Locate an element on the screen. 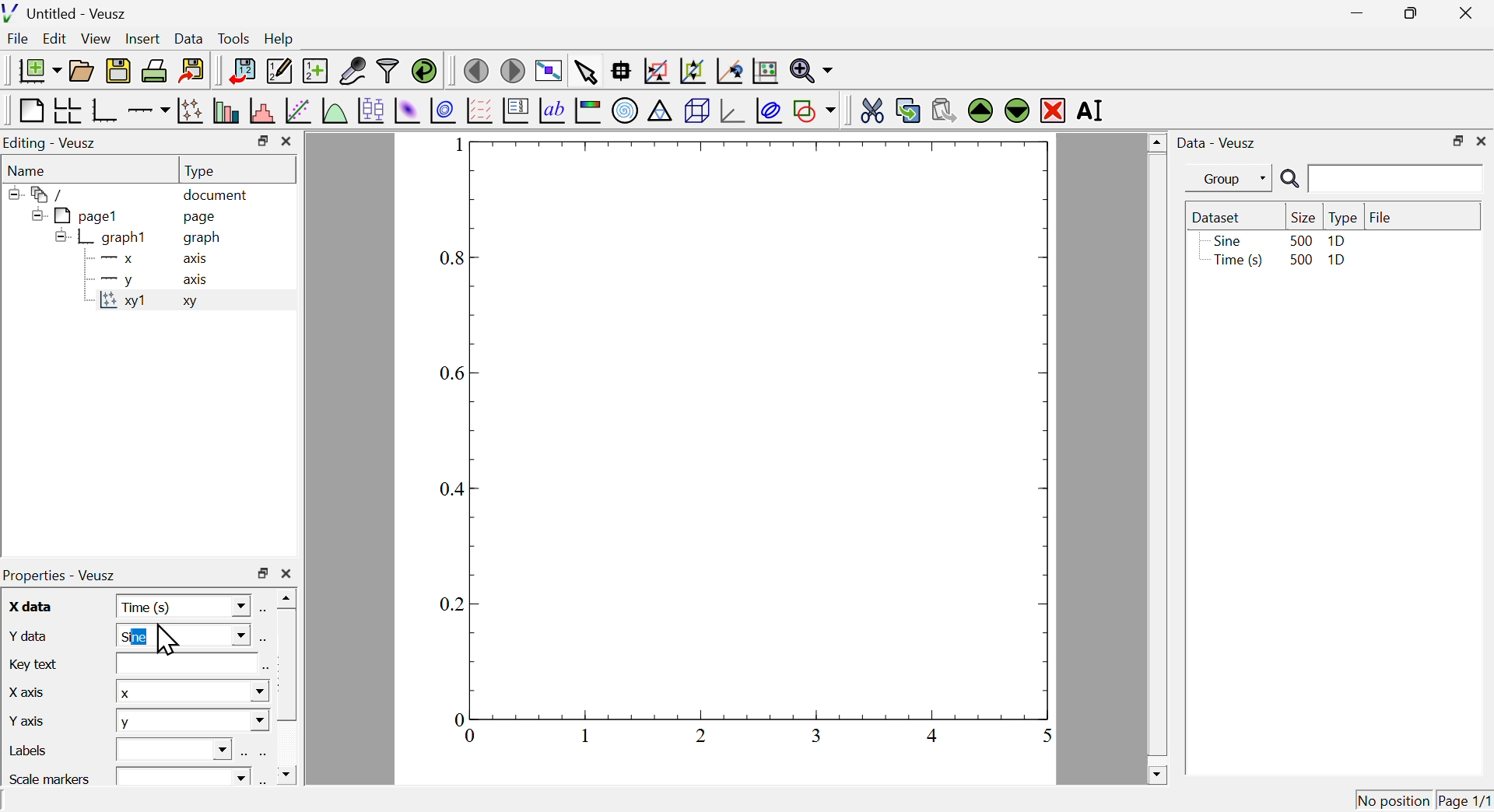 The height and width of the screenshot is (812, 1494). filter data is located at coordinates (388, 72).